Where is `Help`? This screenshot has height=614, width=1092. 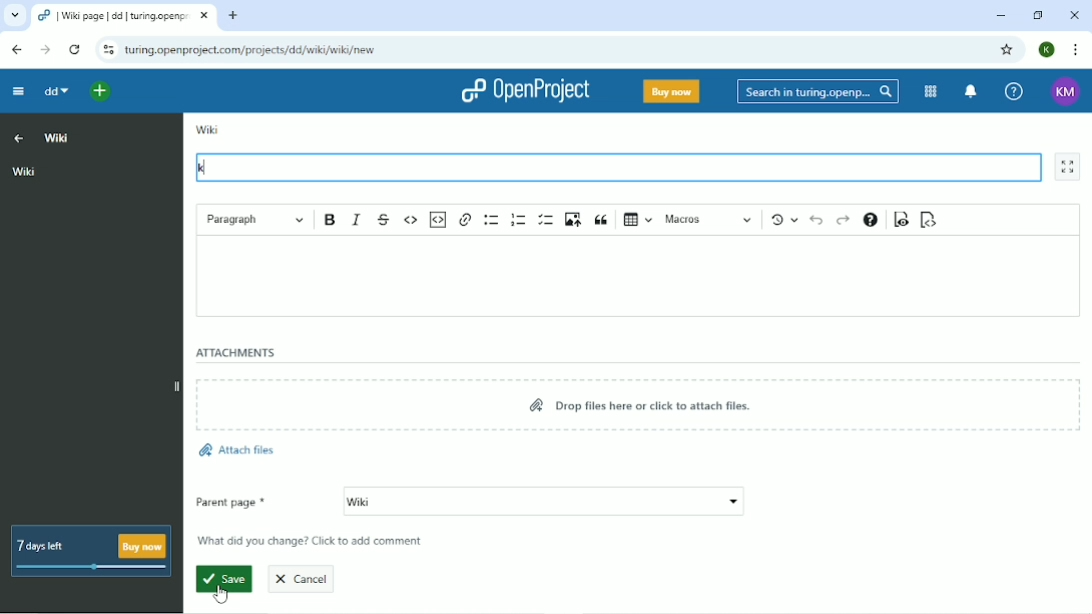 Help is located at coordinates (1014, 91).